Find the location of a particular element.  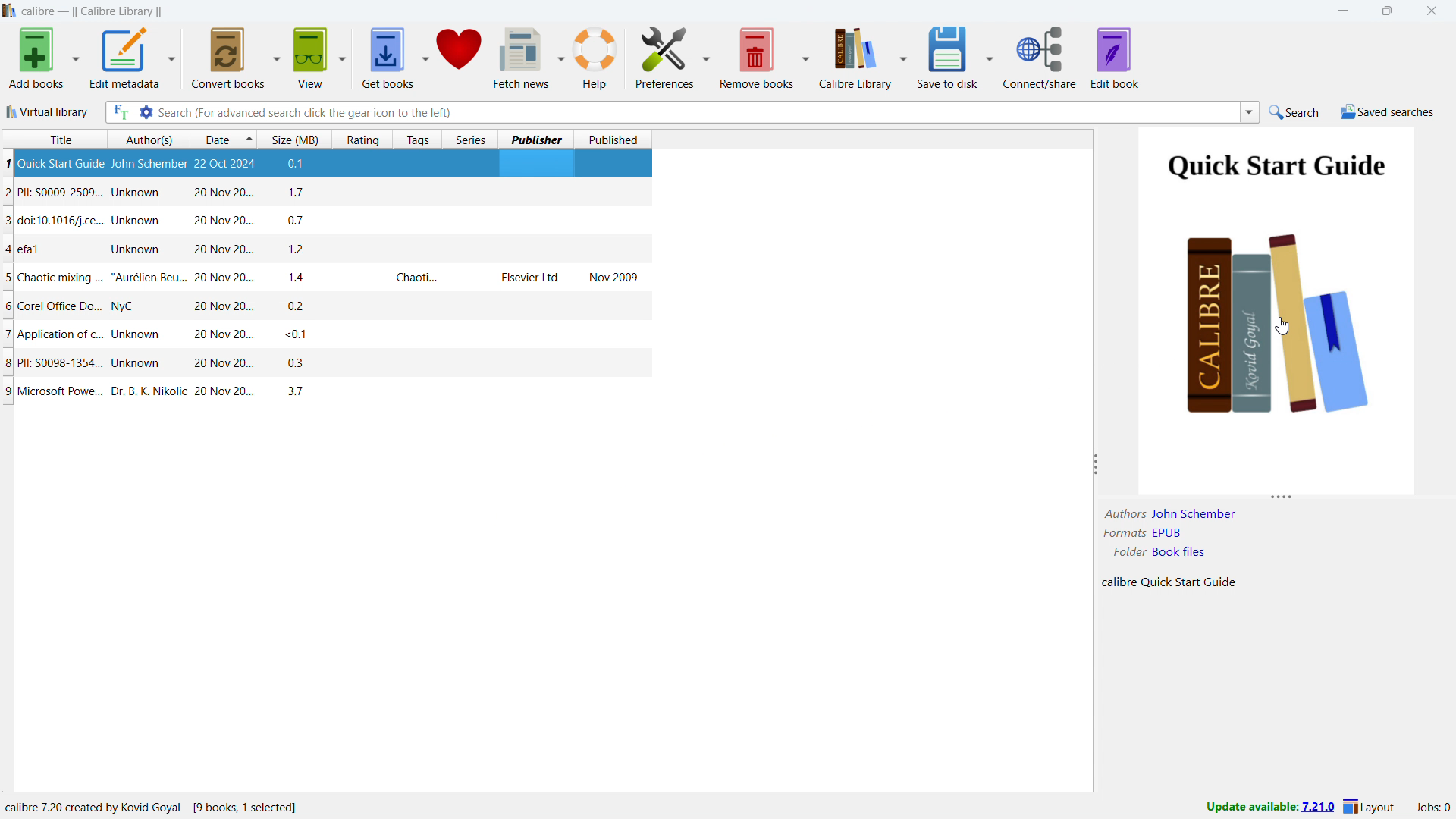

authors is located at coordinates (146, 139).